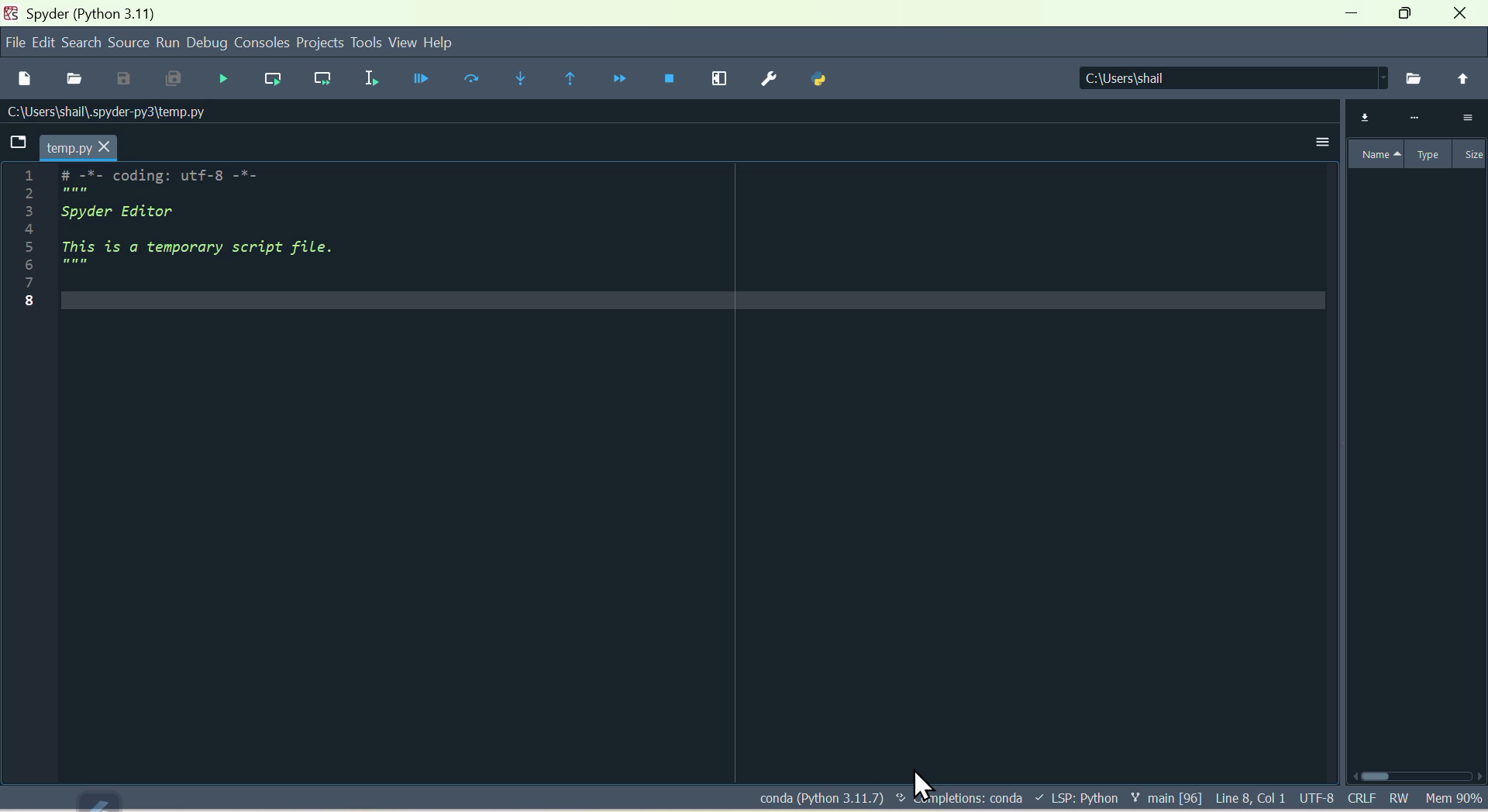  I want to click on Run, so click(167, 42).